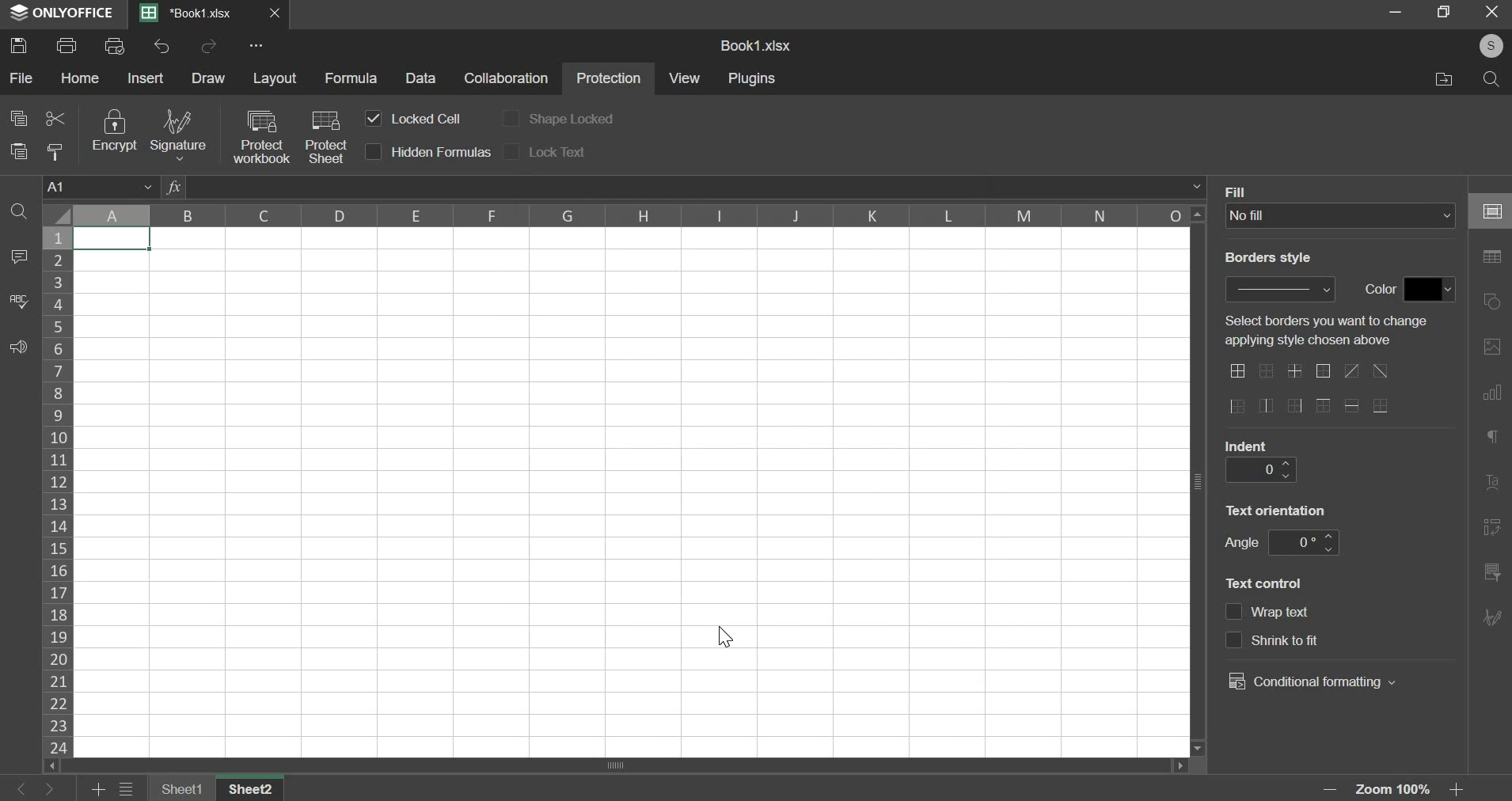 This screenshot has height=801, width=1512. Describe the element at coordinates (24, 790) in the screenshot. I see `left` at that location.